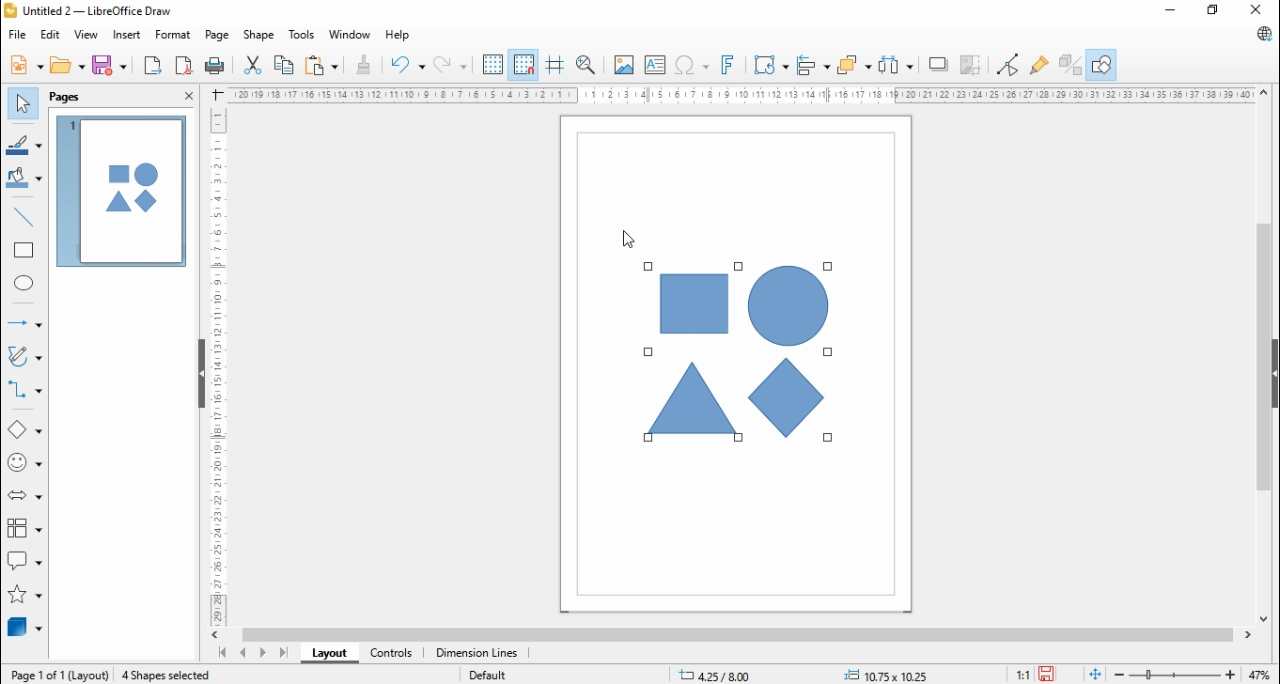  I want to click on dimension lines, so click(476, 654).